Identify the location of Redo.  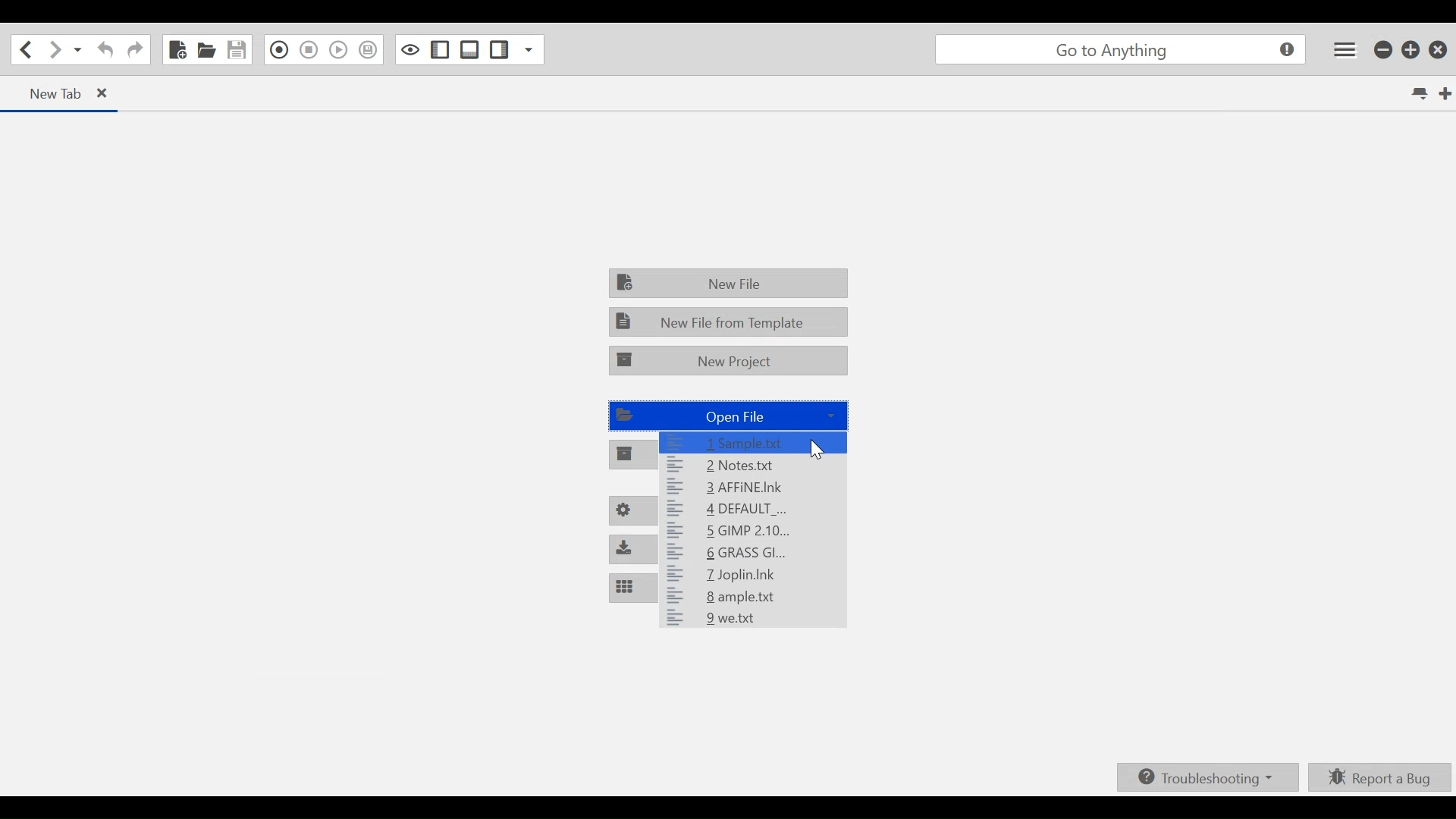
(134, 50).